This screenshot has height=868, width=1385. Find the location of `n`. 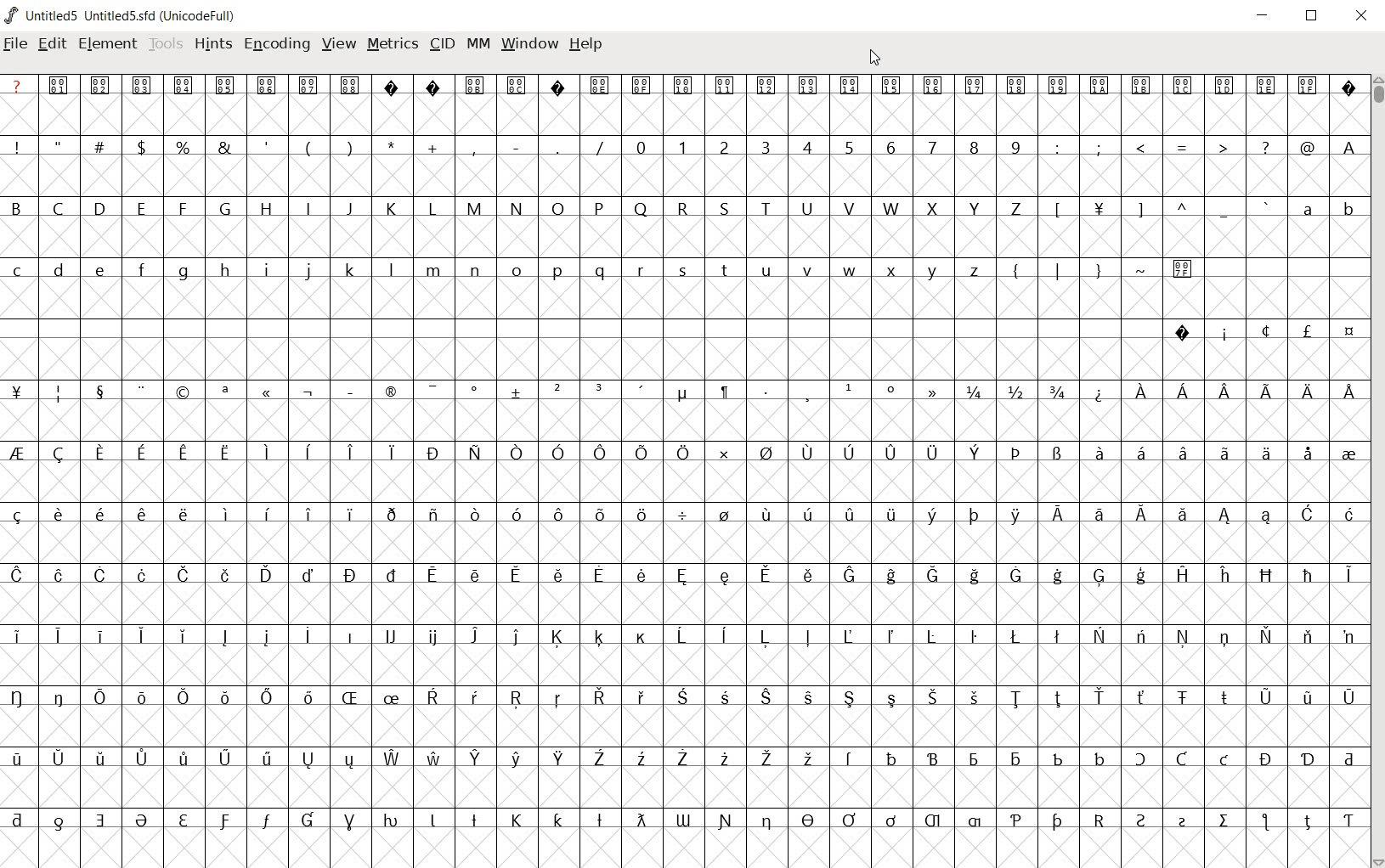

n is located at coordinates (476, 272).